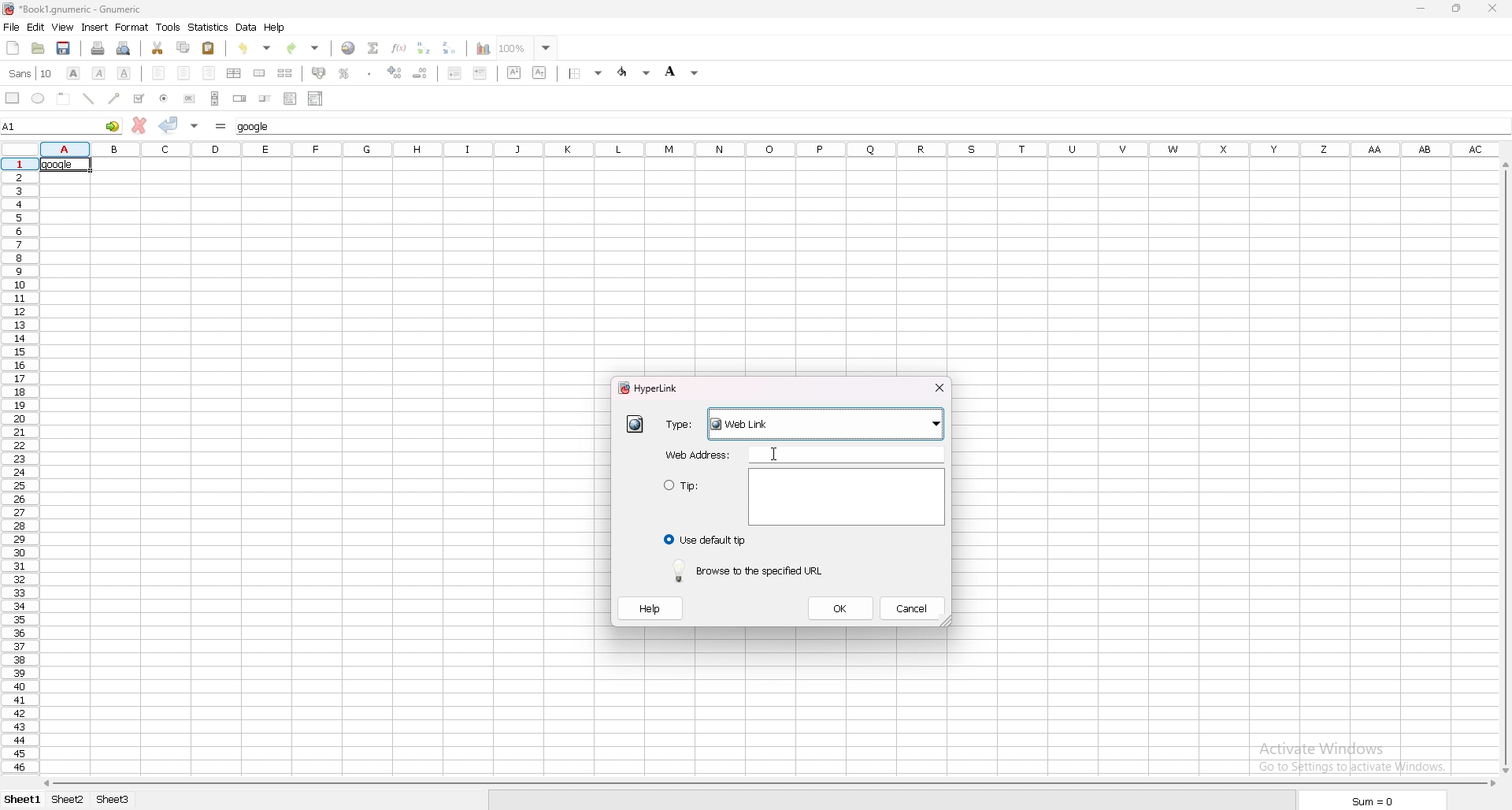 This screenshot has height=810, width=1512. I want to click on Activate Windows Go to settings to activate windows, so click(1363, 754).